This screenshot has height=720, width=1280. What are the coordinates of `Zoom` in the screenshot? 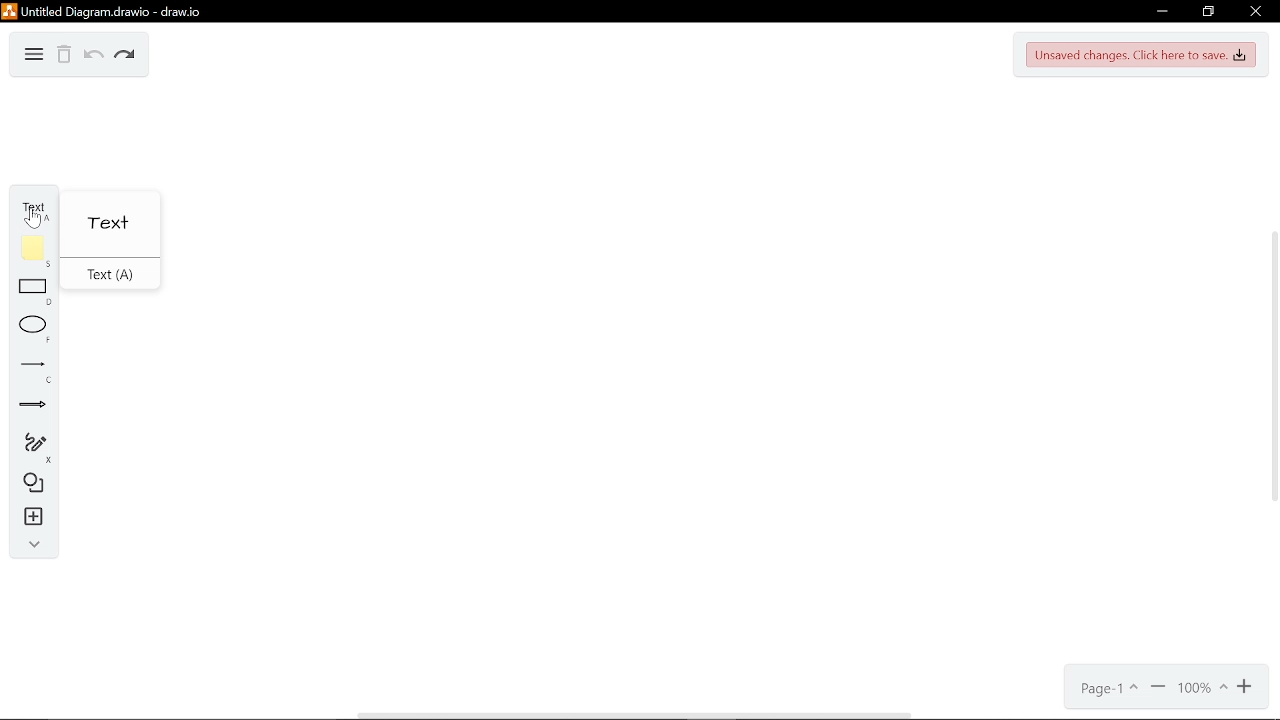 It's located at (1202, 689).